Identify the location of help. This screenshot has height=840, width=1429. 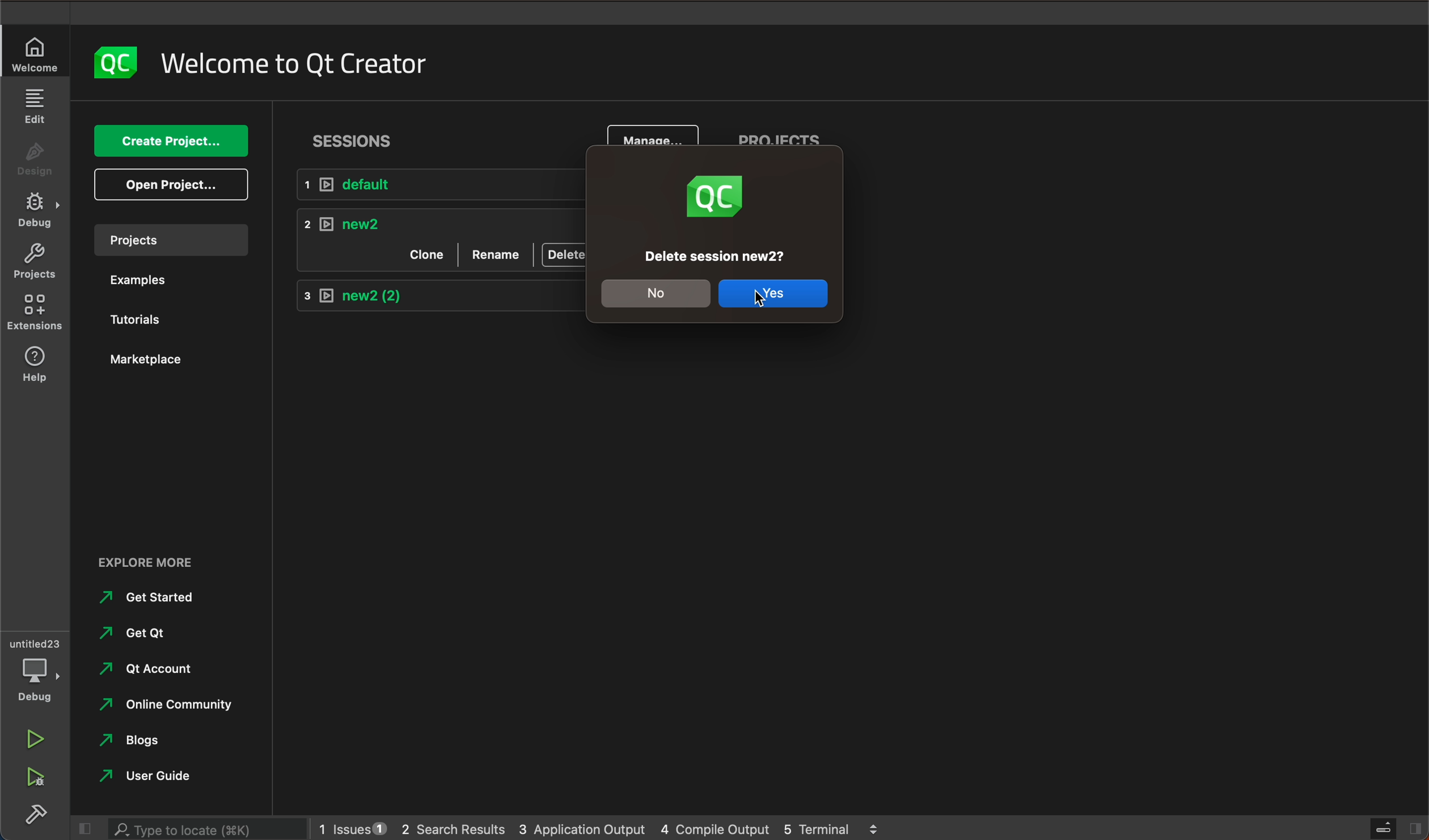
(33, 366).